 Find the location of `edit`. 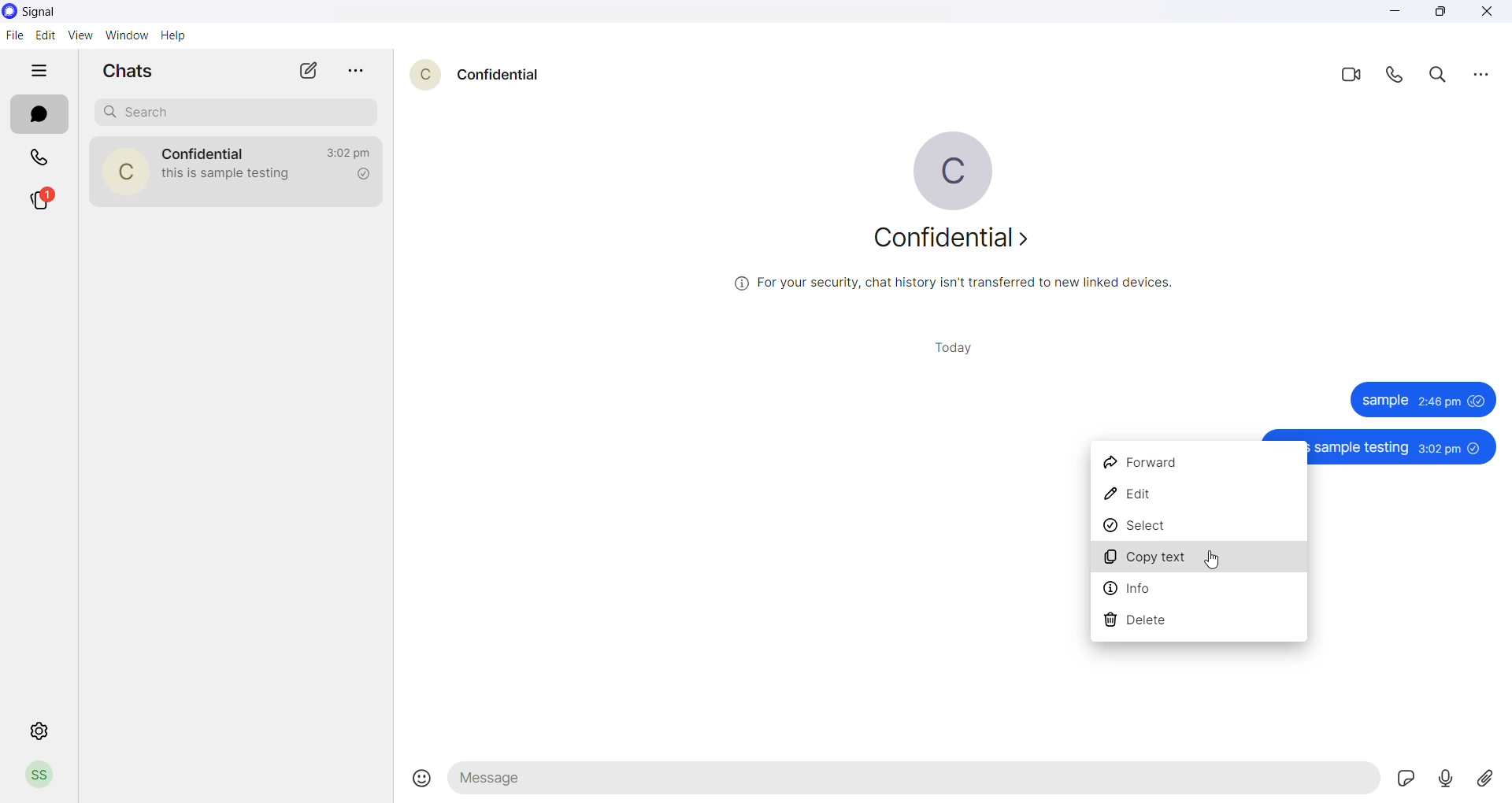

edit is located at coordinates (1199, 493).